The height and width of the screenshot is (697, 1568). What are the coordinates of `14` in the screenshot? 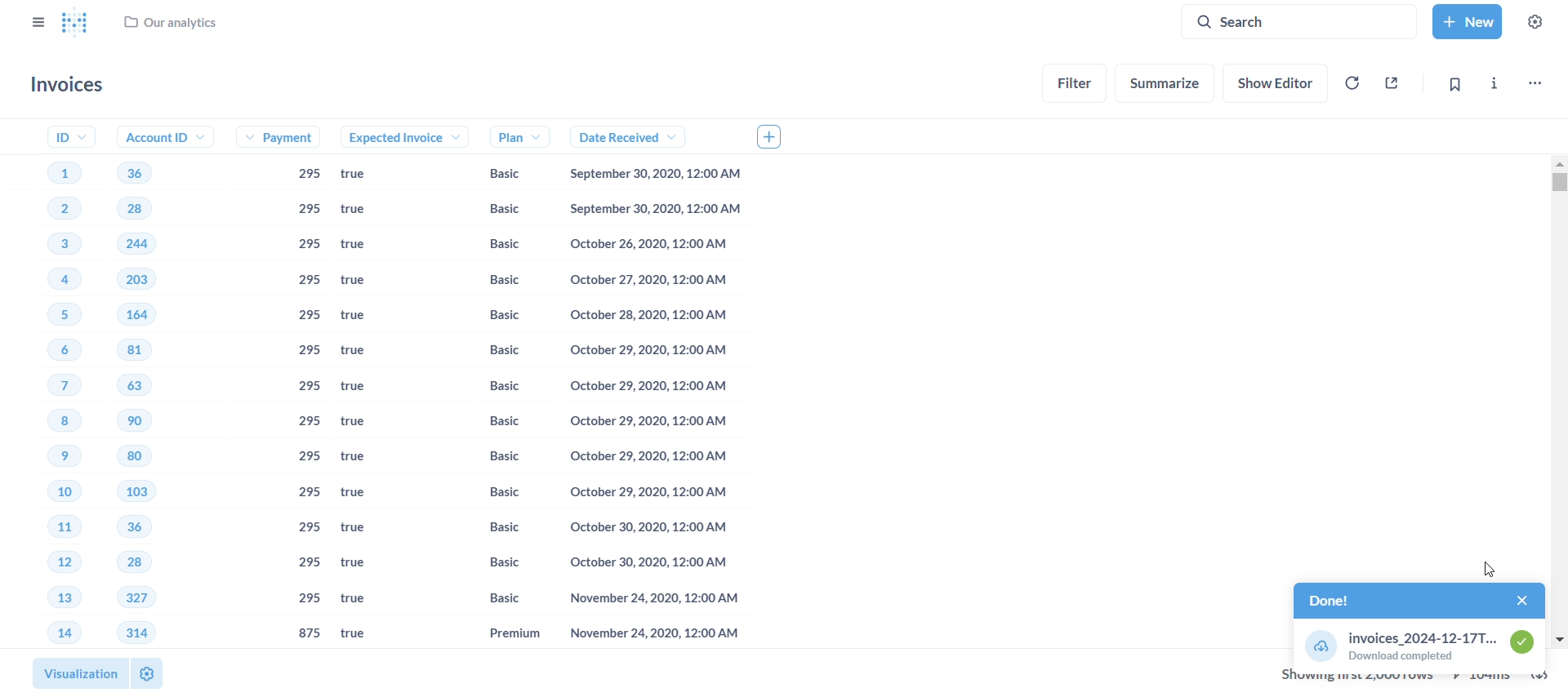 It's located at (52, 633).